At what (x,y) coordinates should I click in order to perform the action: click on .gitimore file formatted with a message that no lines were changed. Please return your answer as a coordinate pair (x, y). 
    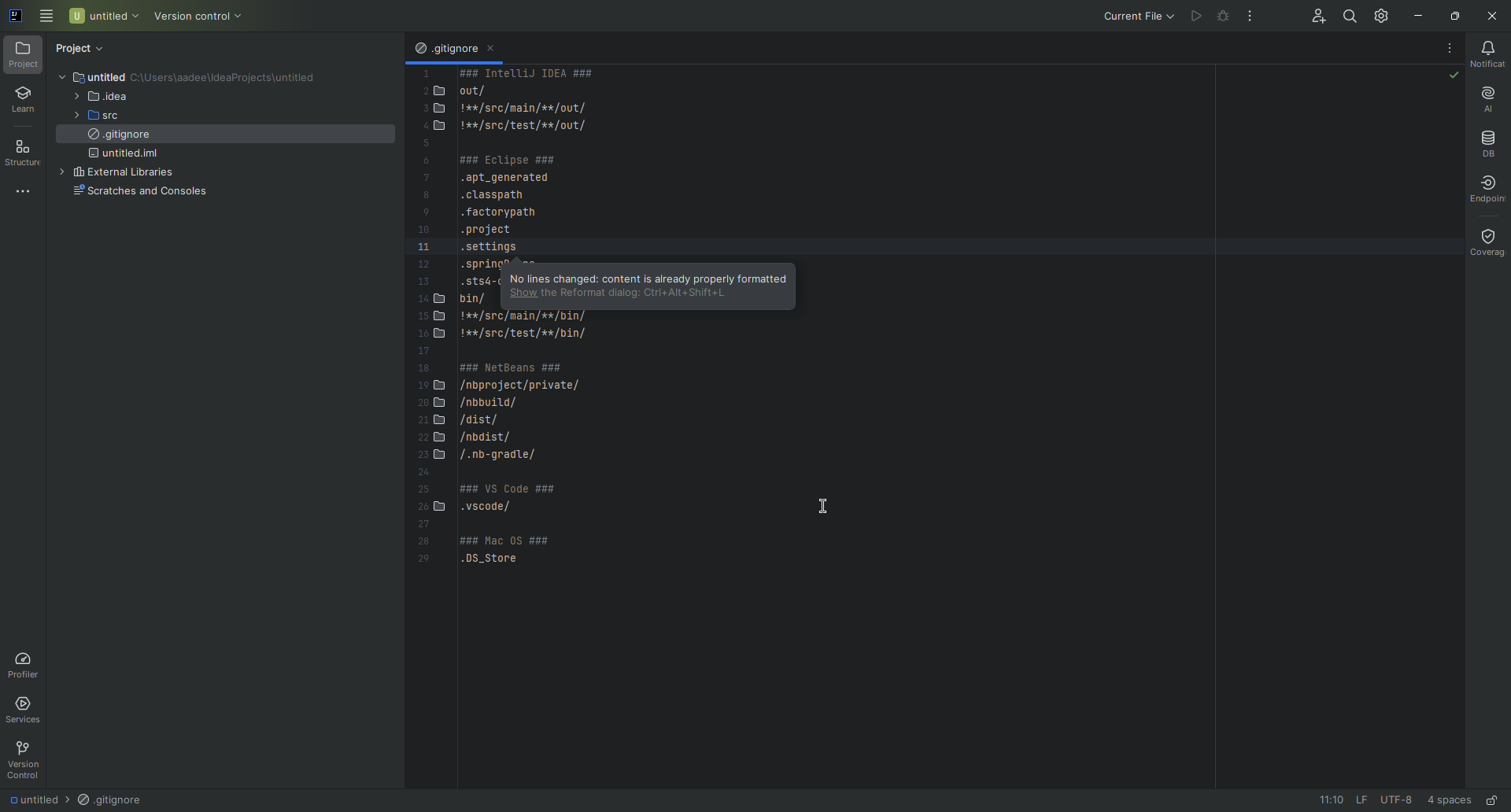
    Looking at the image, I should click on (645, 283).